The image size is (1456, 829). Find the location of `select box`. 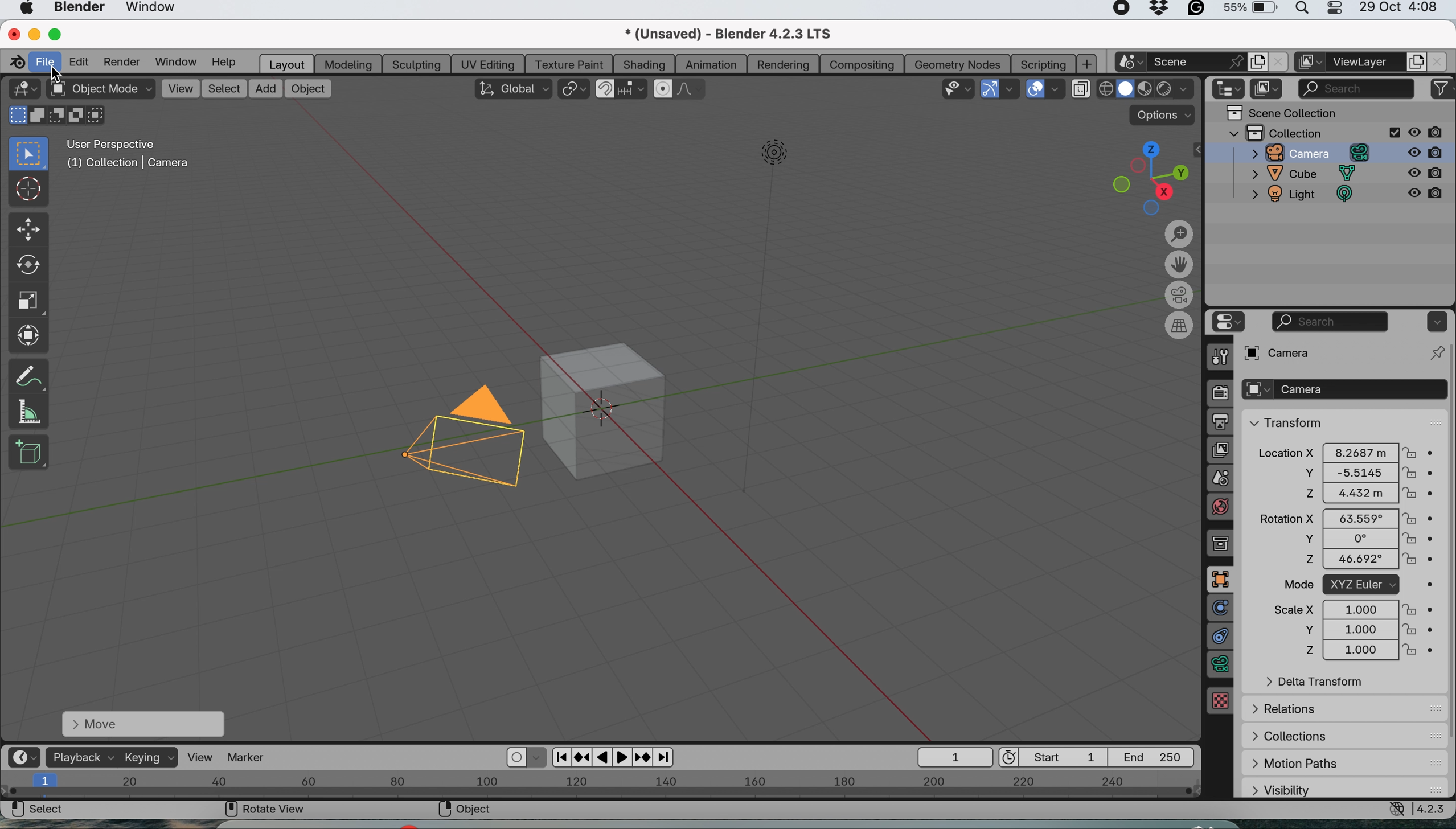

select box is located at coordinates (29, 154).